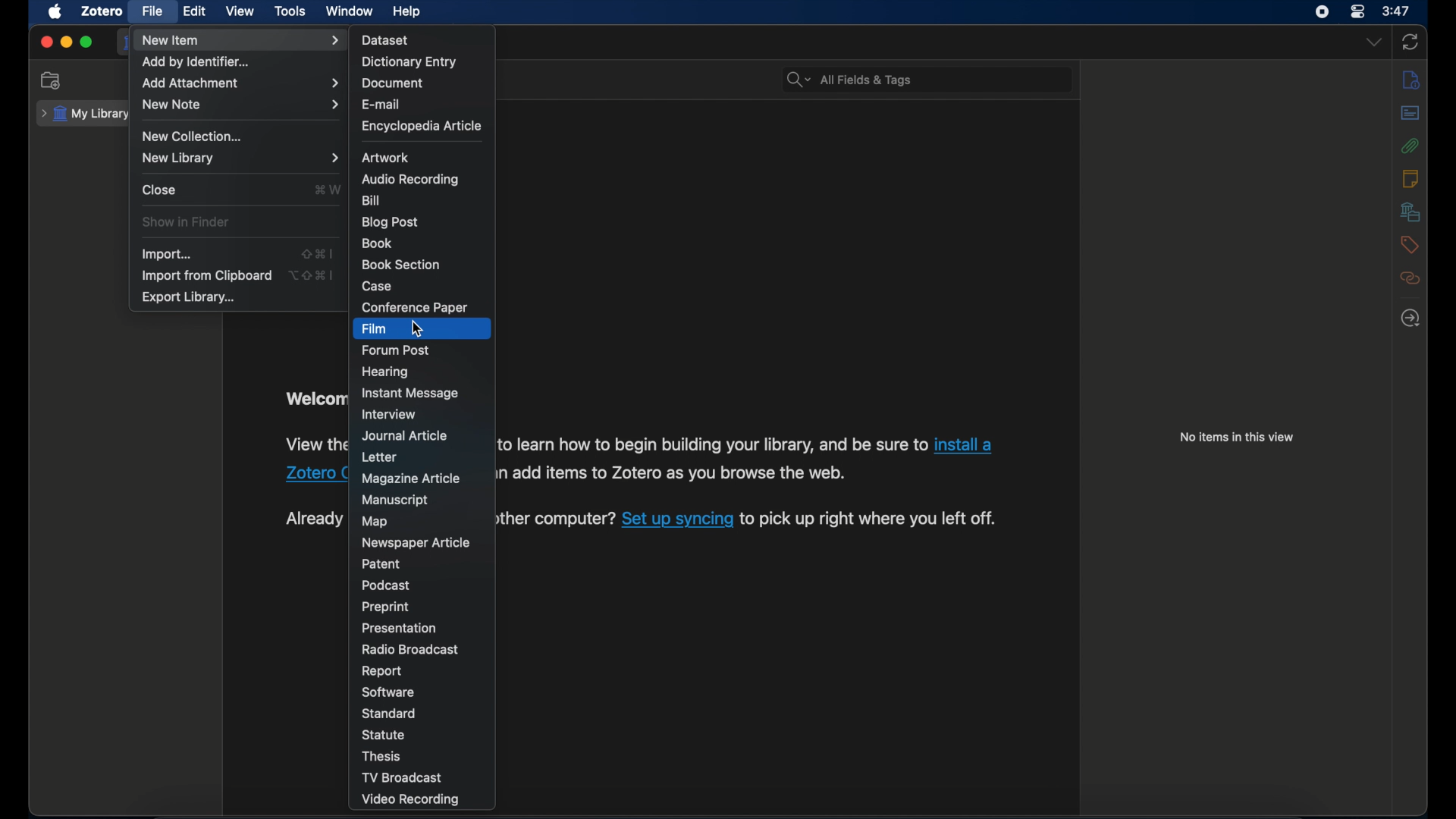 The image size is (1456, 819). I want to click on search bar, so click(849, 80).